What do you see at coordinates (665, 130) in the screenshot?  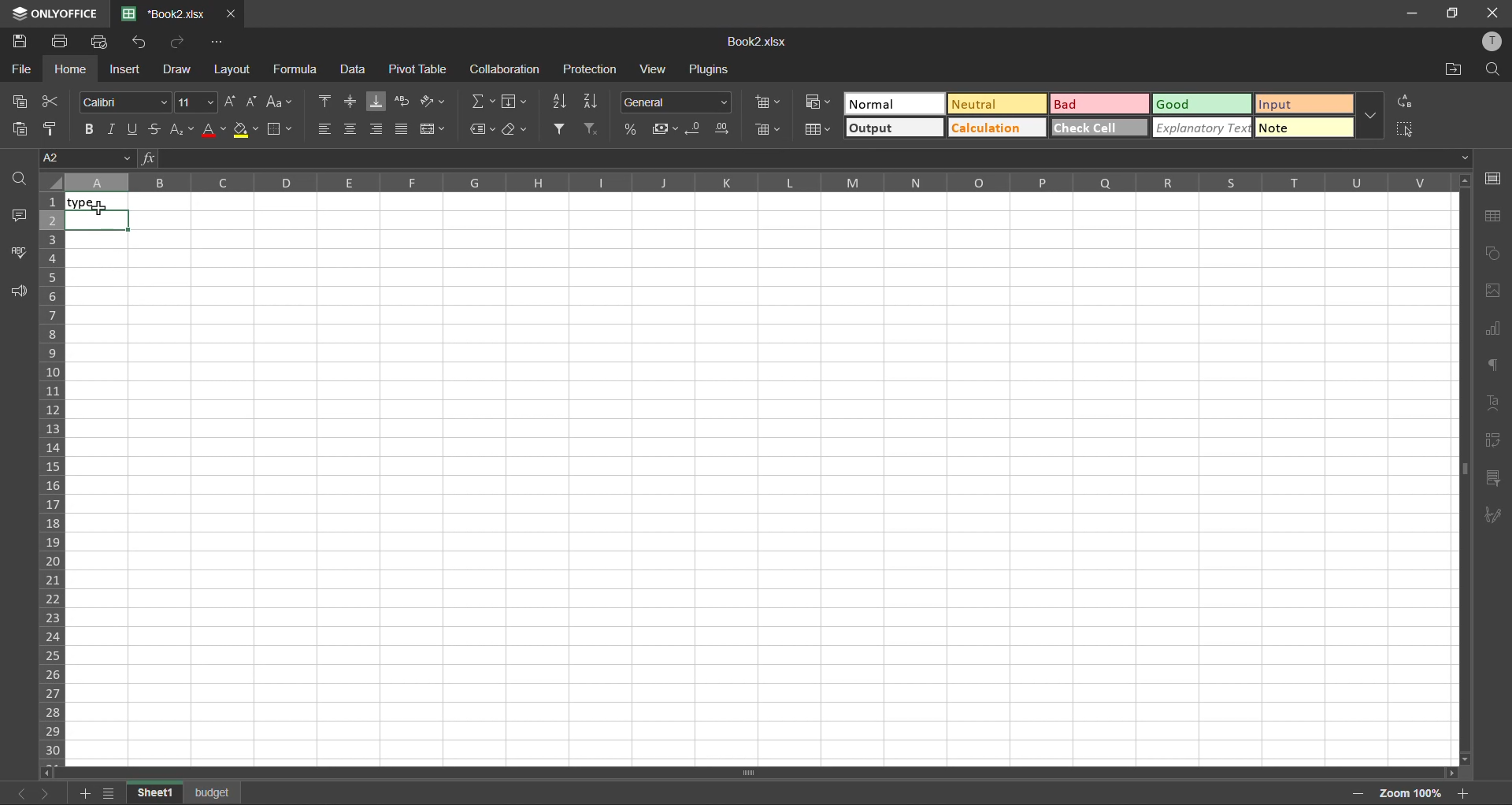 I see `accounting` at bounding box center [665, 130].